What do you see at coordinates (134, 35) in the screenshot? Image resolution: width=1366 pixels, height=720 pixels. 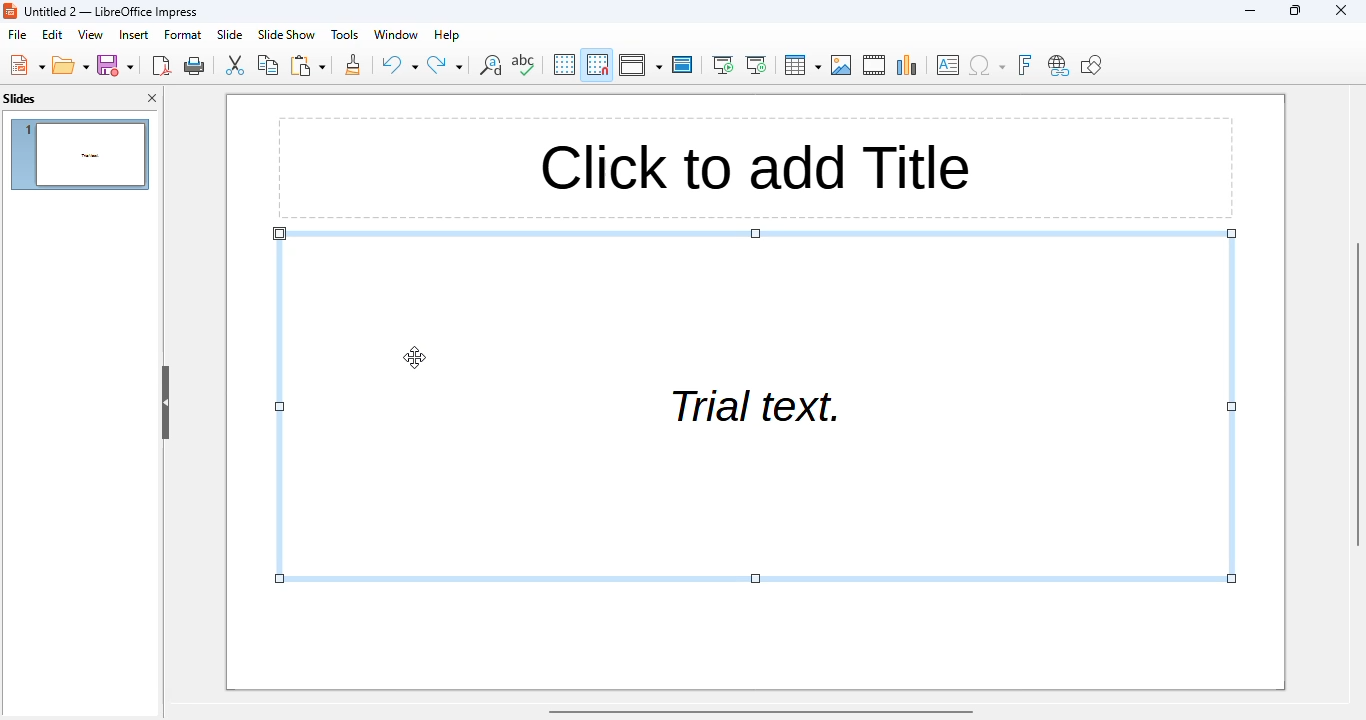 I see `insert` at bounding box center [134, 35].